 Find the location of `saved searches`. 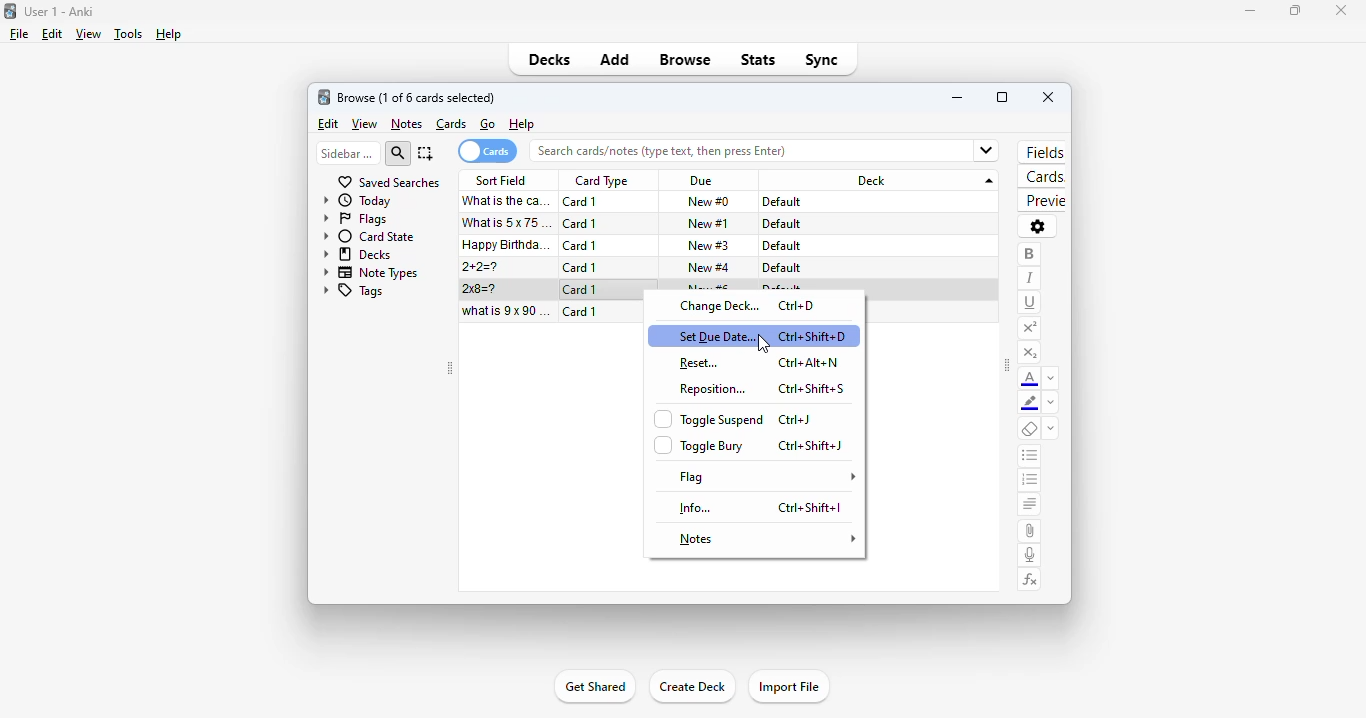

saved searches is located at coordinates (388, 182).